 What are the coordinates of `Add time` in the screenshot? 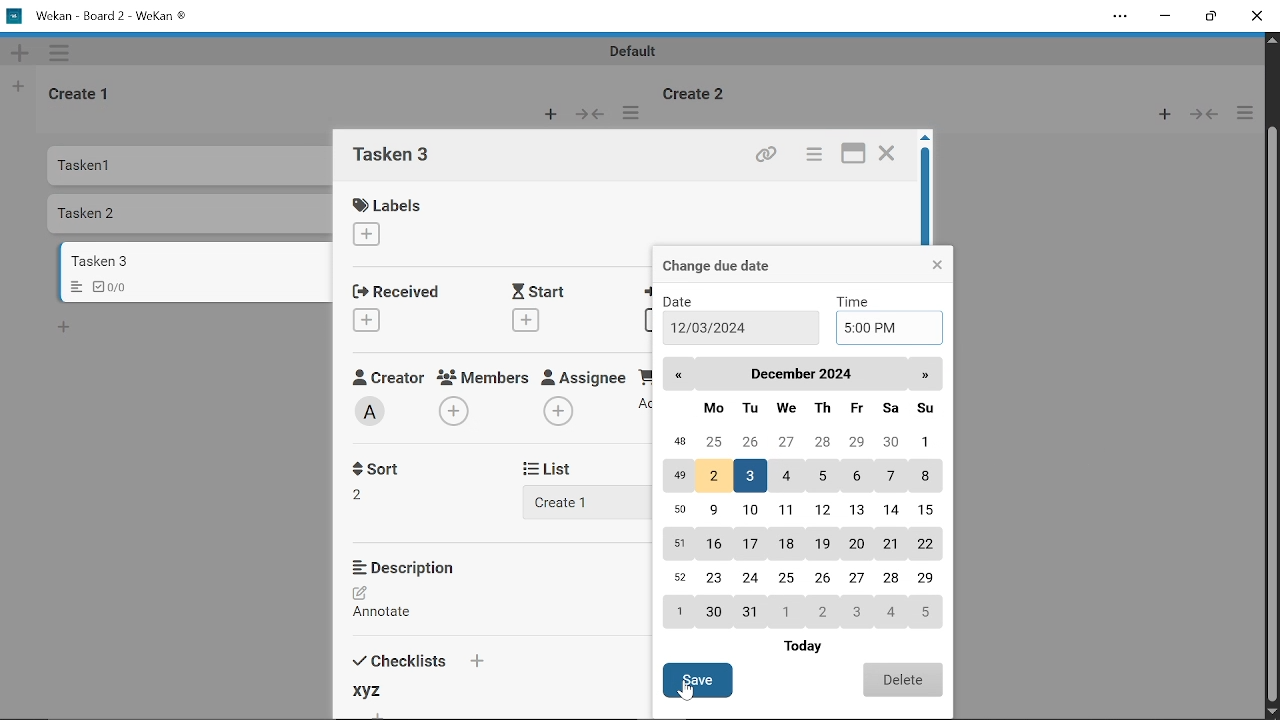 It's located at (891, 328).